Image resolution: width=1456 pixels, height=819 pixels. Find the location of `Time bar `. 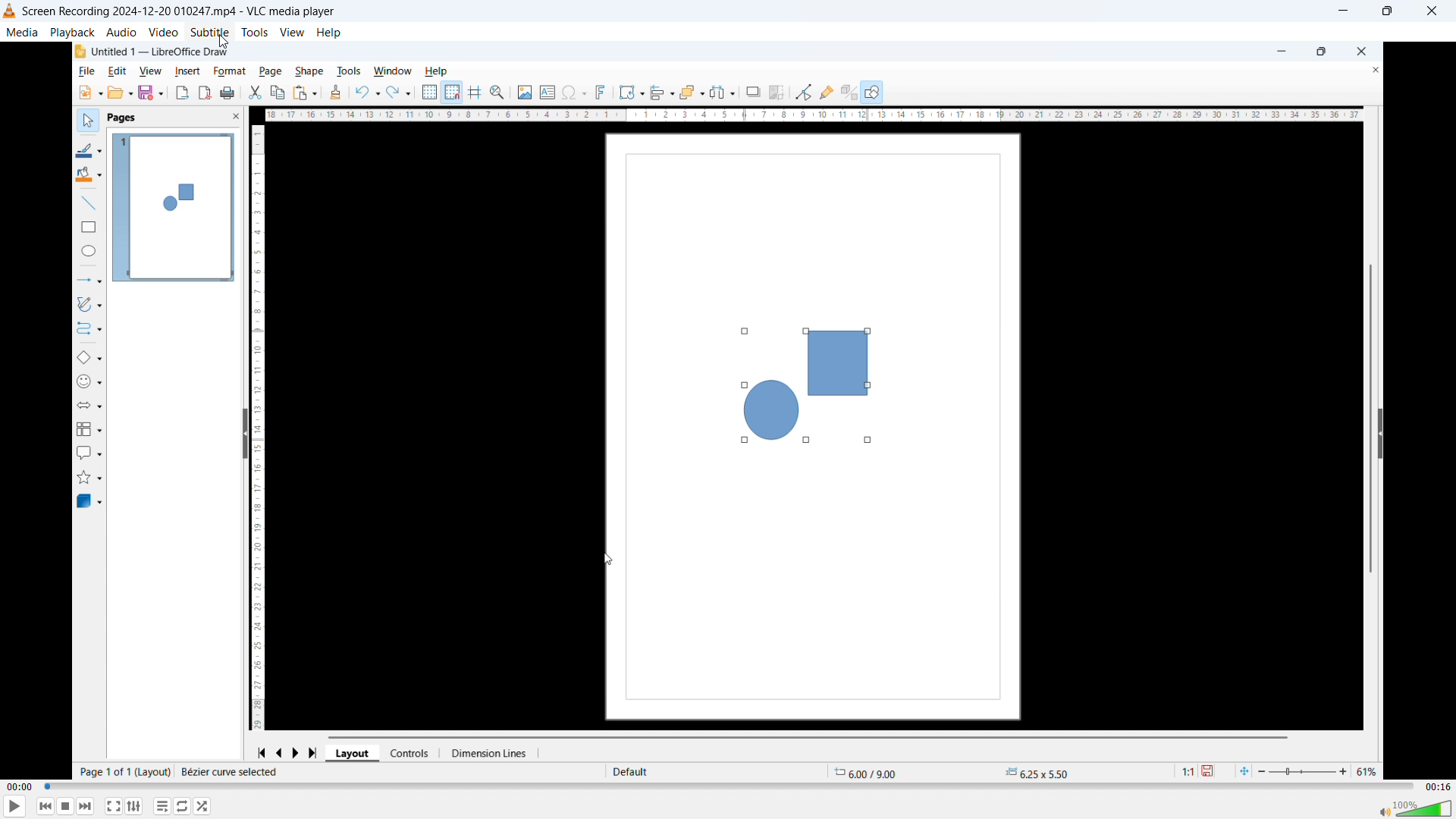

Time bar  is located at coordinates (730, 787).